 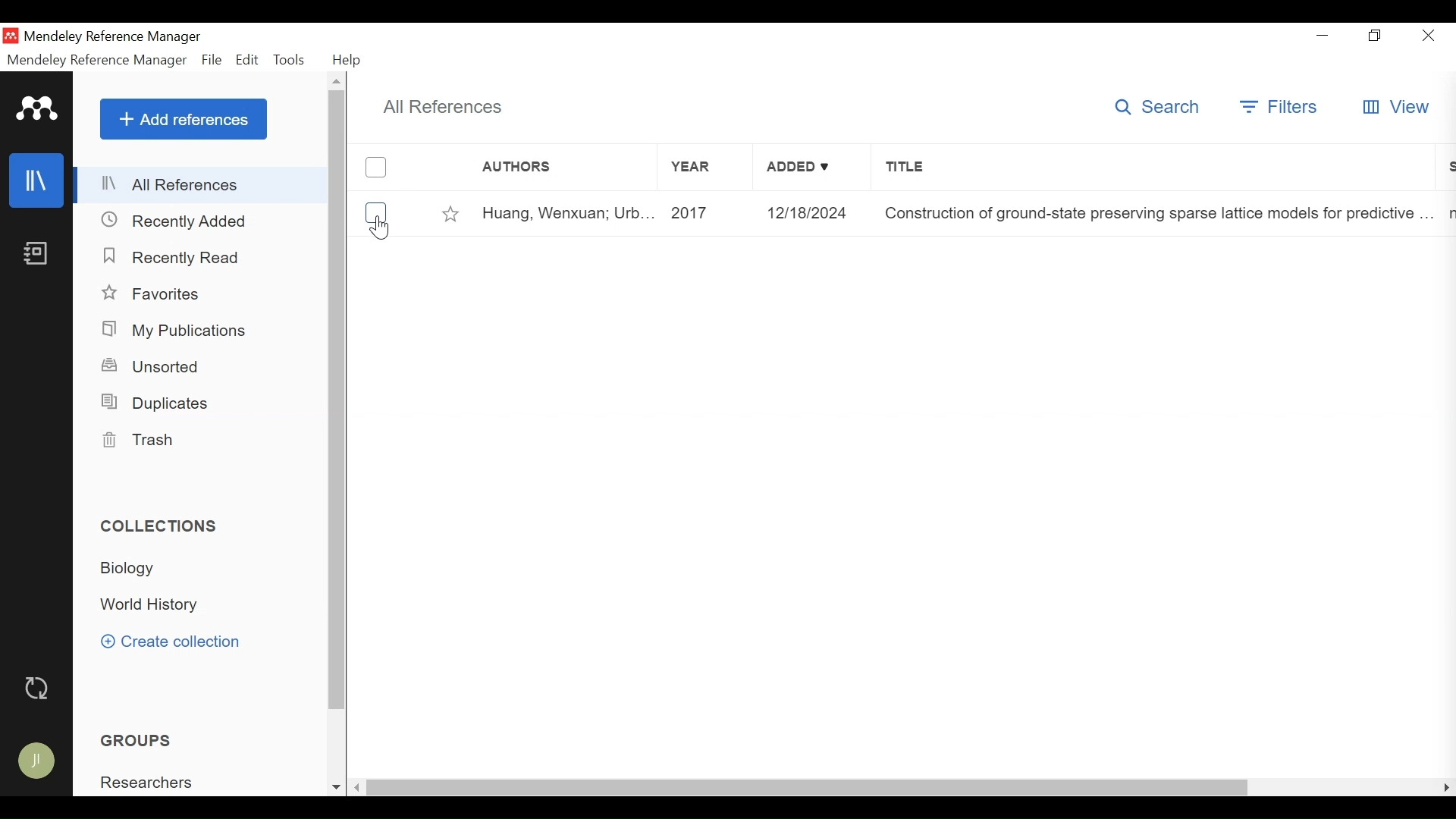 What do you see at coordinates (375, 168) in the screenshot?
I see `(un)select all` at bounding box center [375, 168].